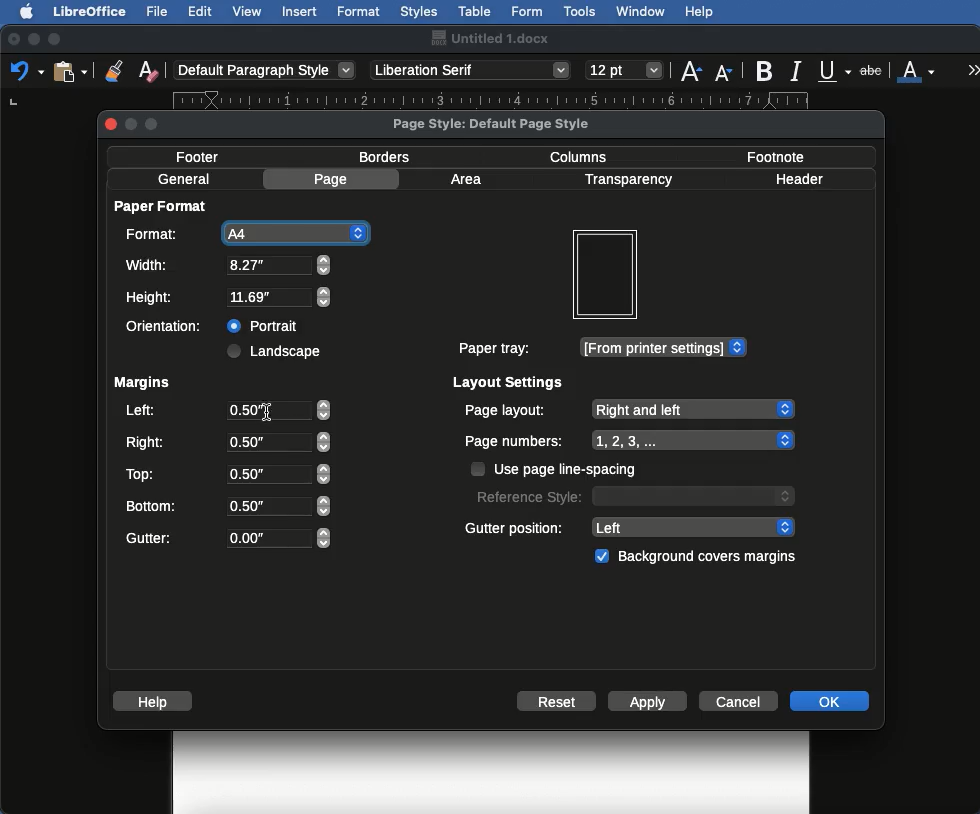 This screenshot has height=814, width=980. What do you see at coordinates (836, 70) in the screenshot?
I see `Underline` at bounding box center [836, 70].